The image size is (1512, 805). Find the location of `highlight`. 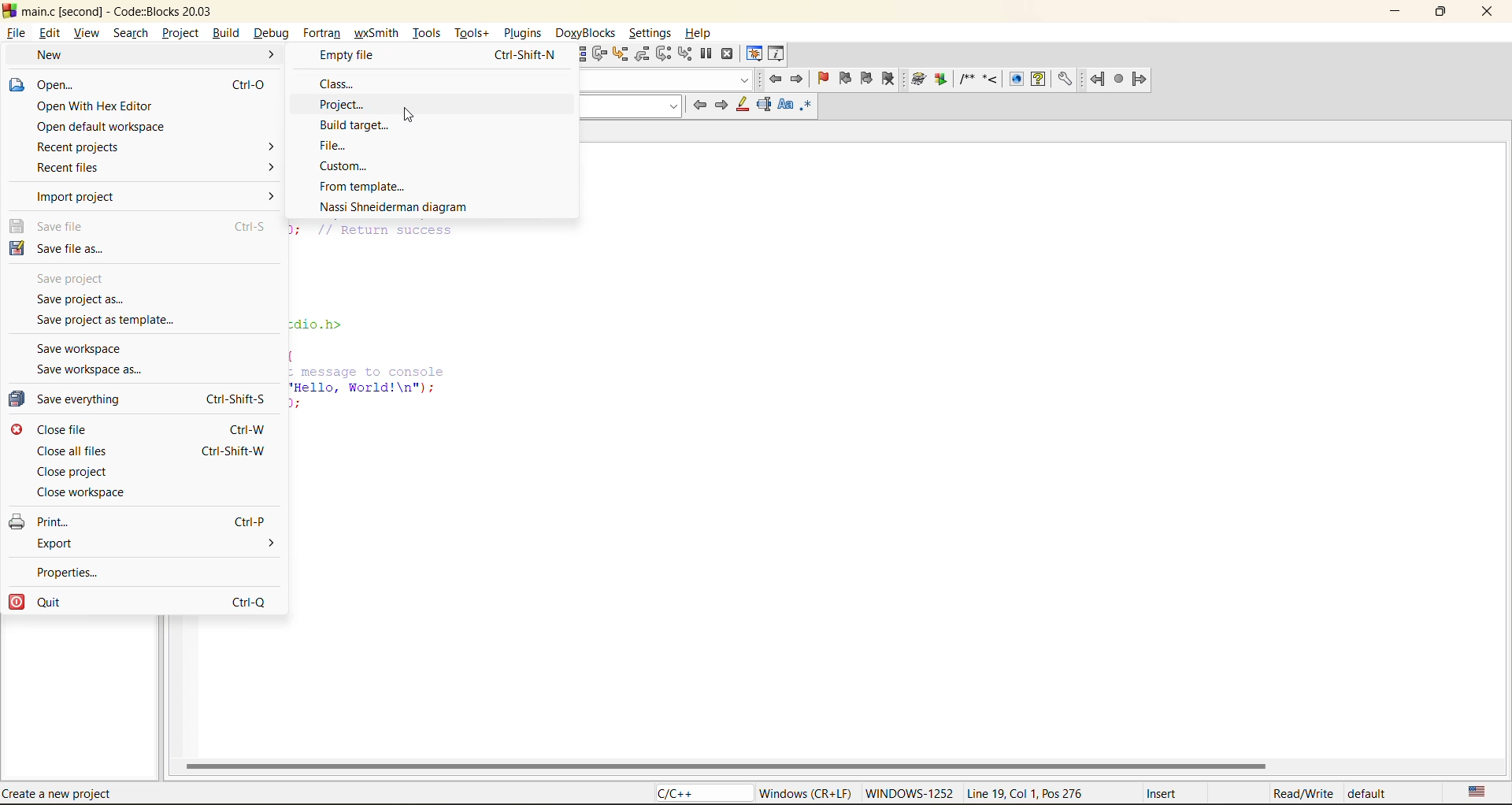

highlight is located at coordinates (740, 106).